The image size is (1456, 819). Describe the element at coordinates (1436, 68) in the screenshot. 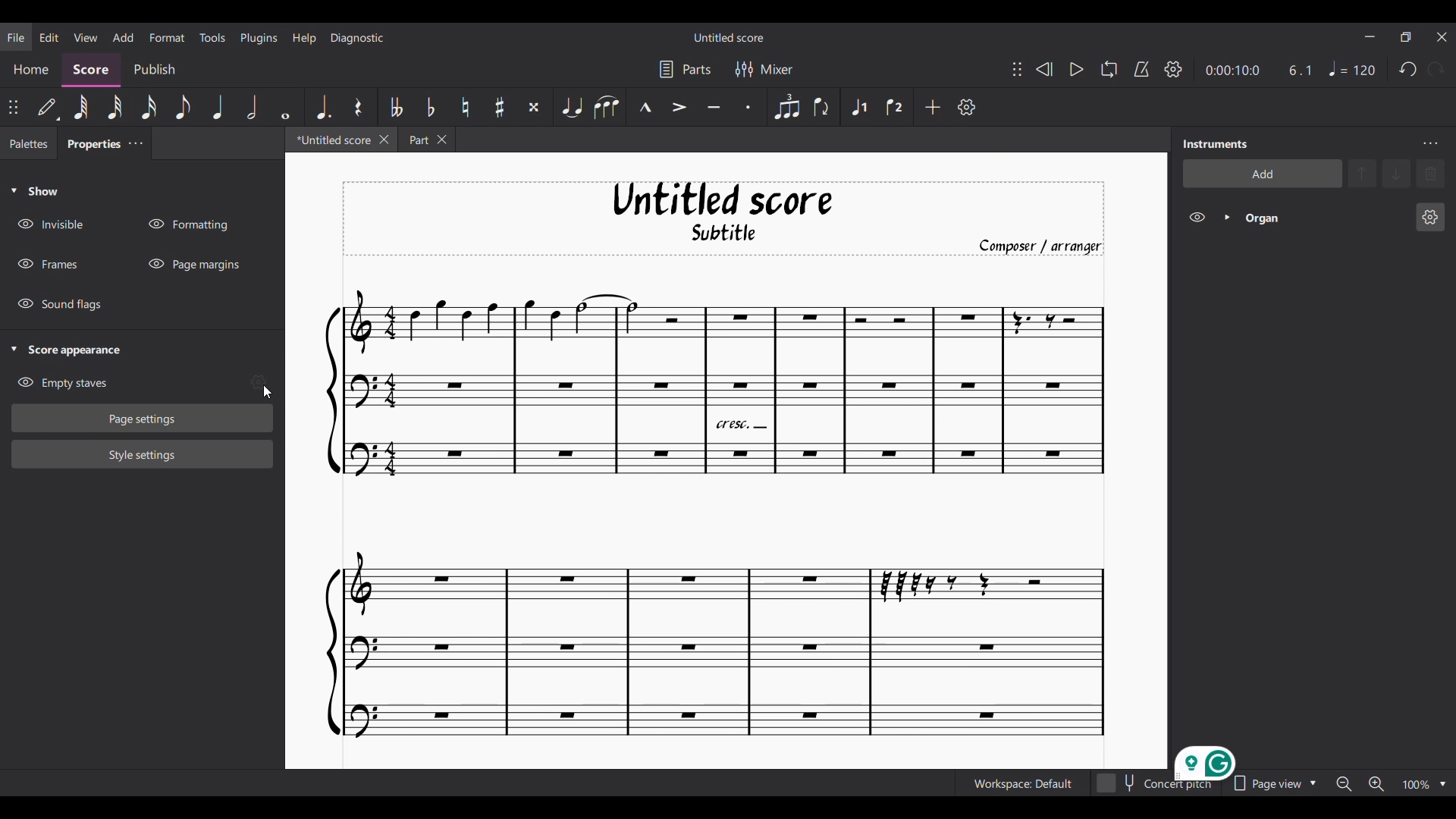

I see `Redo` at that location.